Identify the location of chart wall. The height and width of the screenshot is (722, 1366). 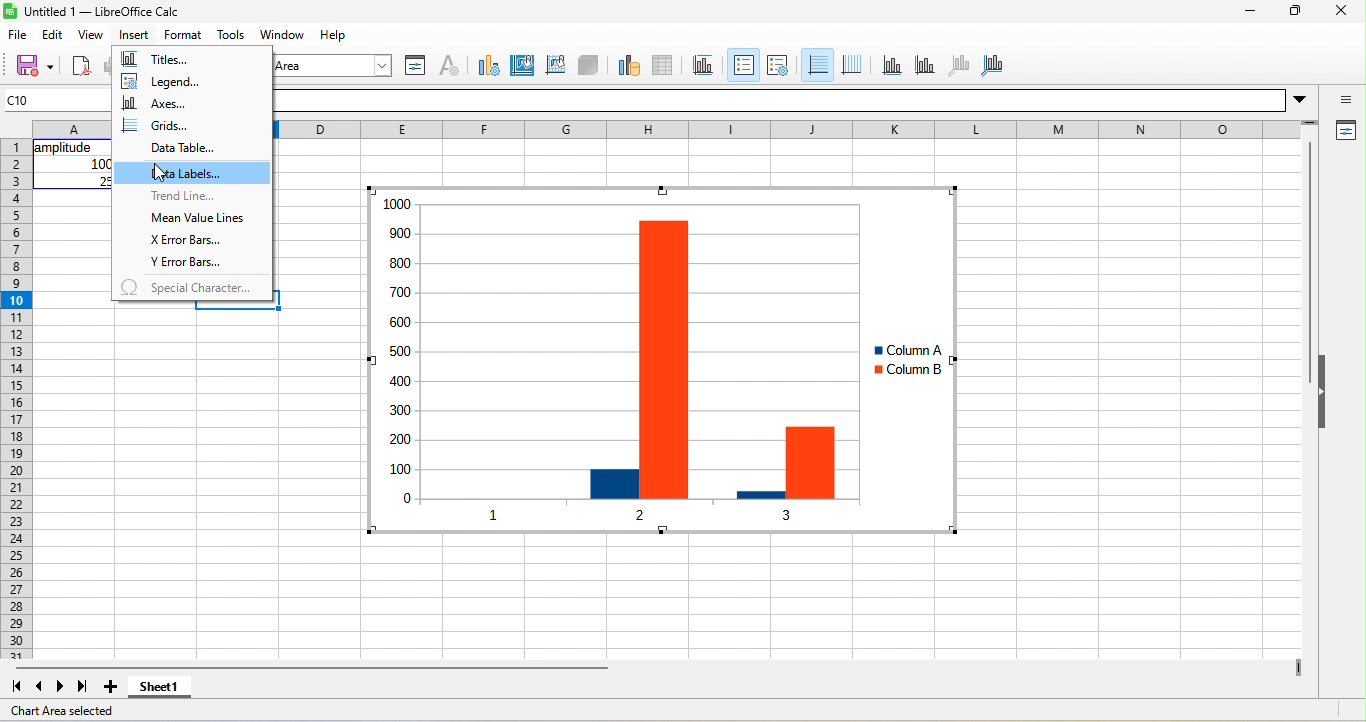
(555, 63).